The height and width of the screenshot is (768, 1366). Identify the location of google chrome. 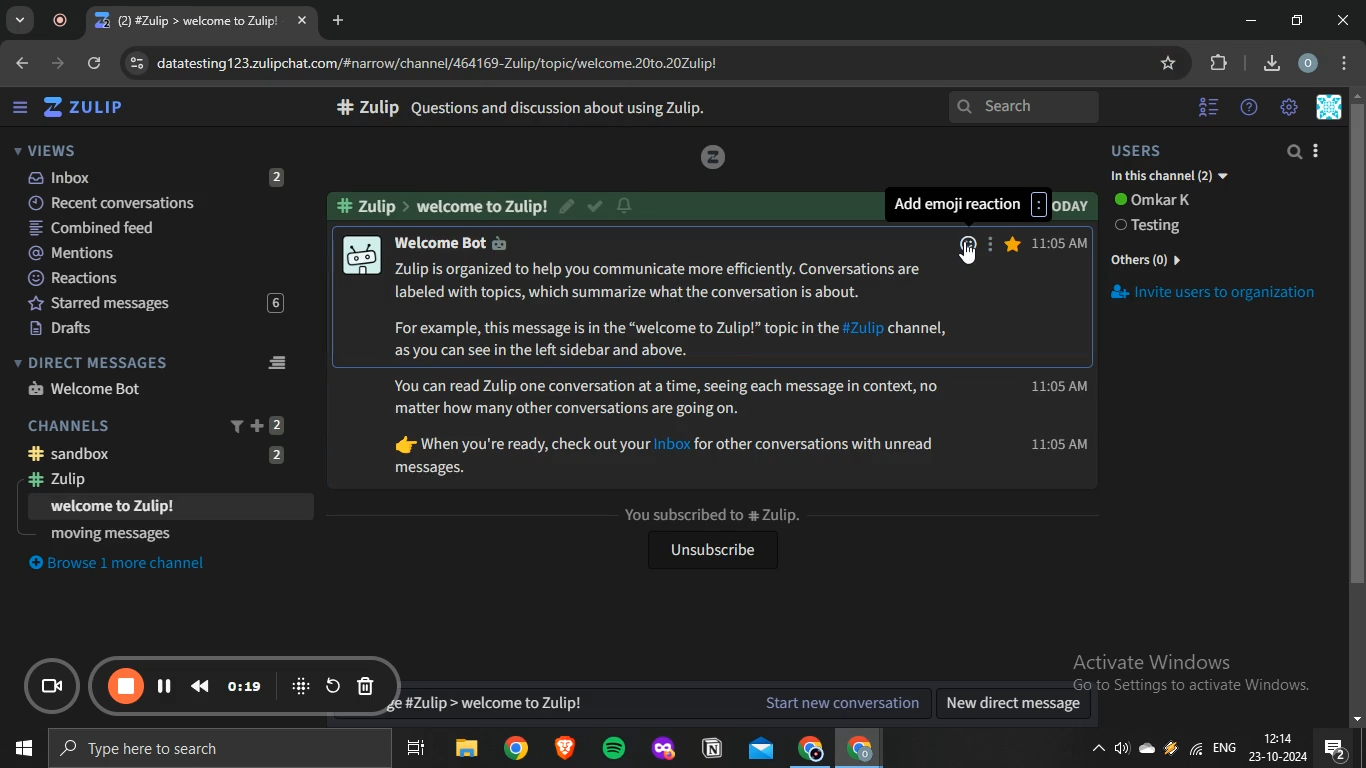
(858, 749).